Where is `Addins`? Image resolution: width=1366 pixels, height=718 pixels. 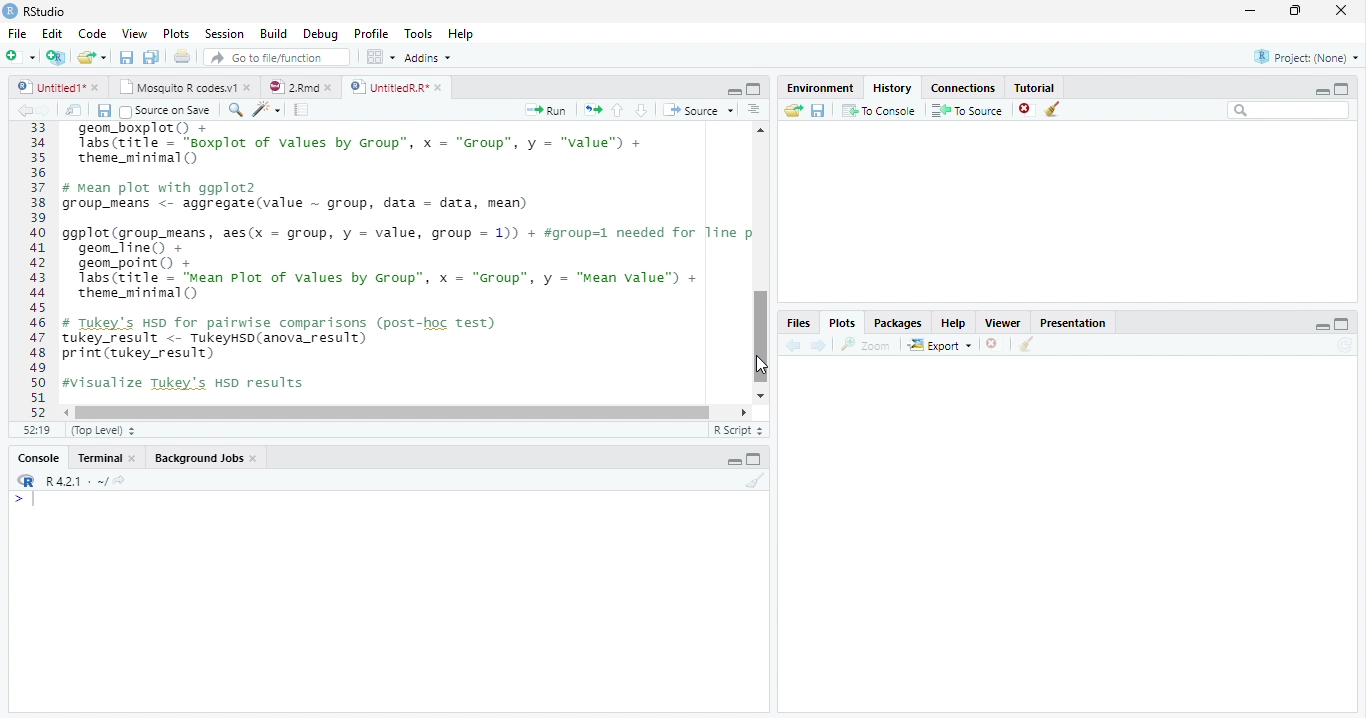
Addins is located at coordinates (429, 59).